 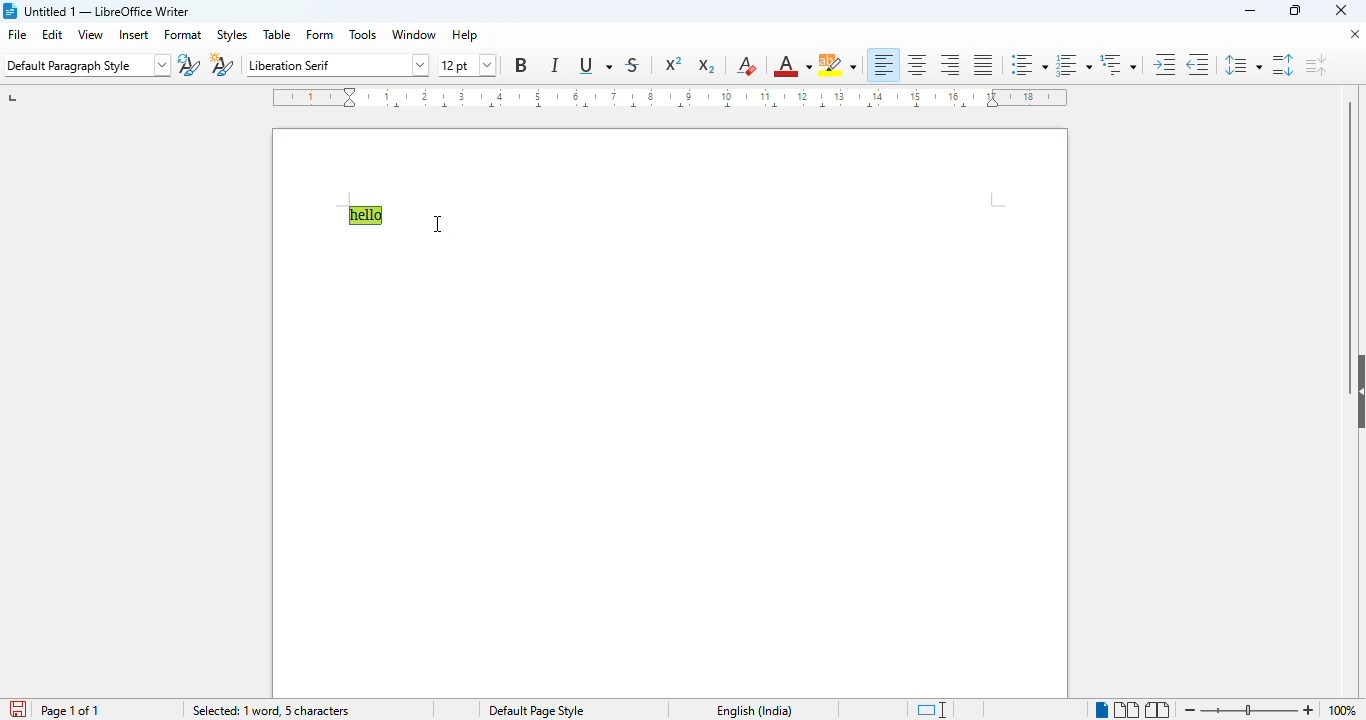 What do you see at coordinates (531, 711) in the screenshot?
I see `default page style` at bounding box center [531, 711].